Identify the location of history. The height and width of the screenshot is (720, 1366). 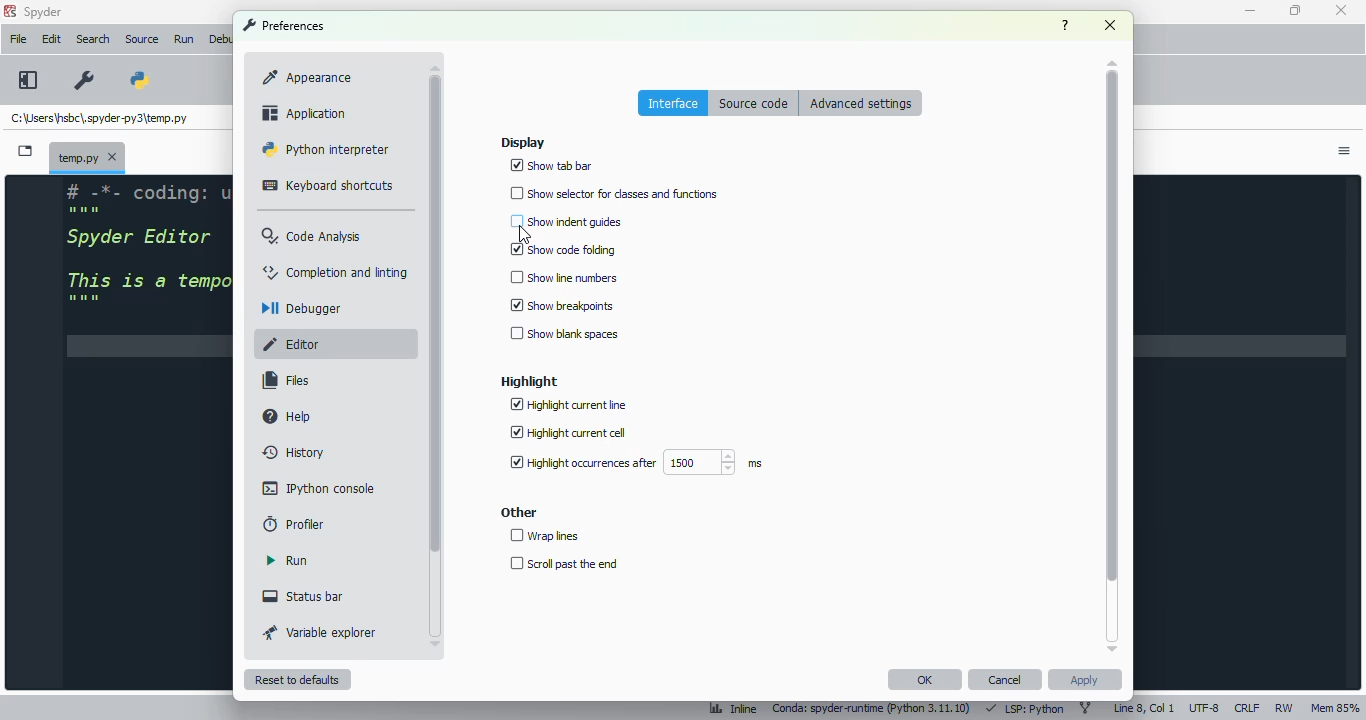
(295, 452).